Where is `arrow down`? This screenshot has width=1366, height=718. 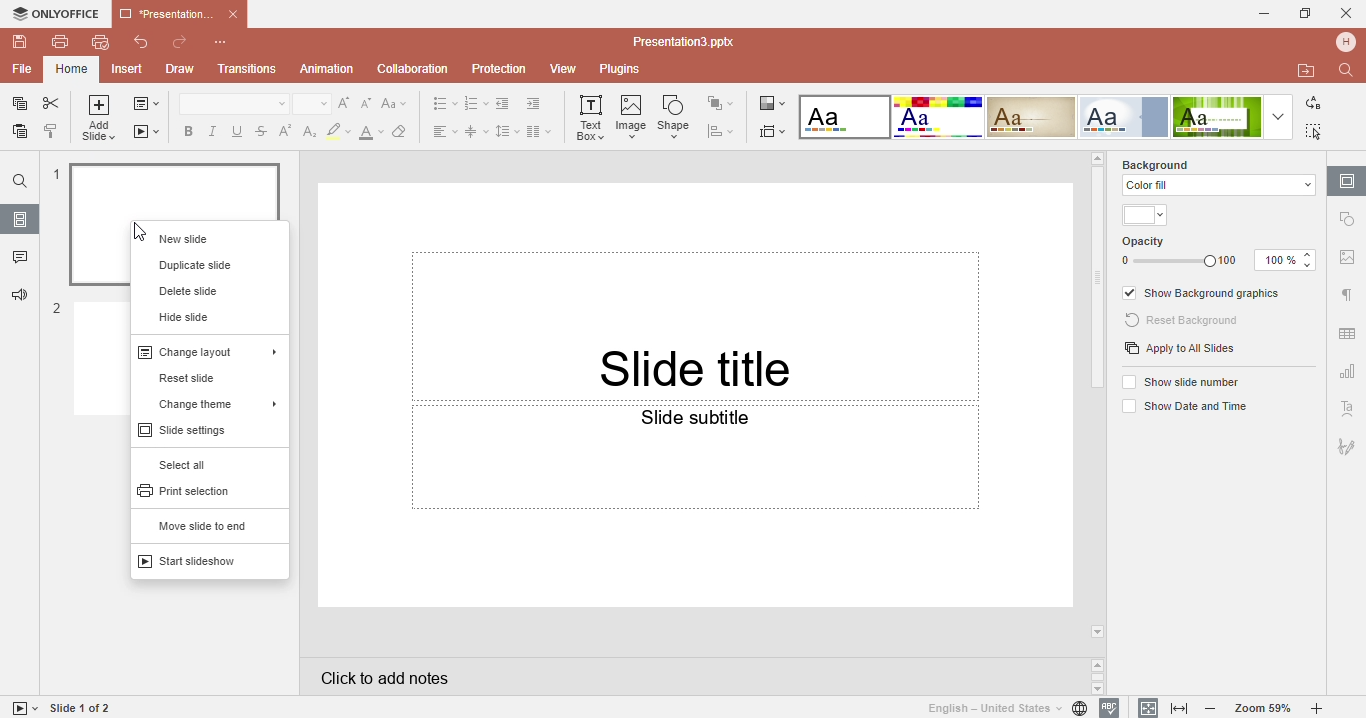 arrow down is located at coordinates (1099, 632).